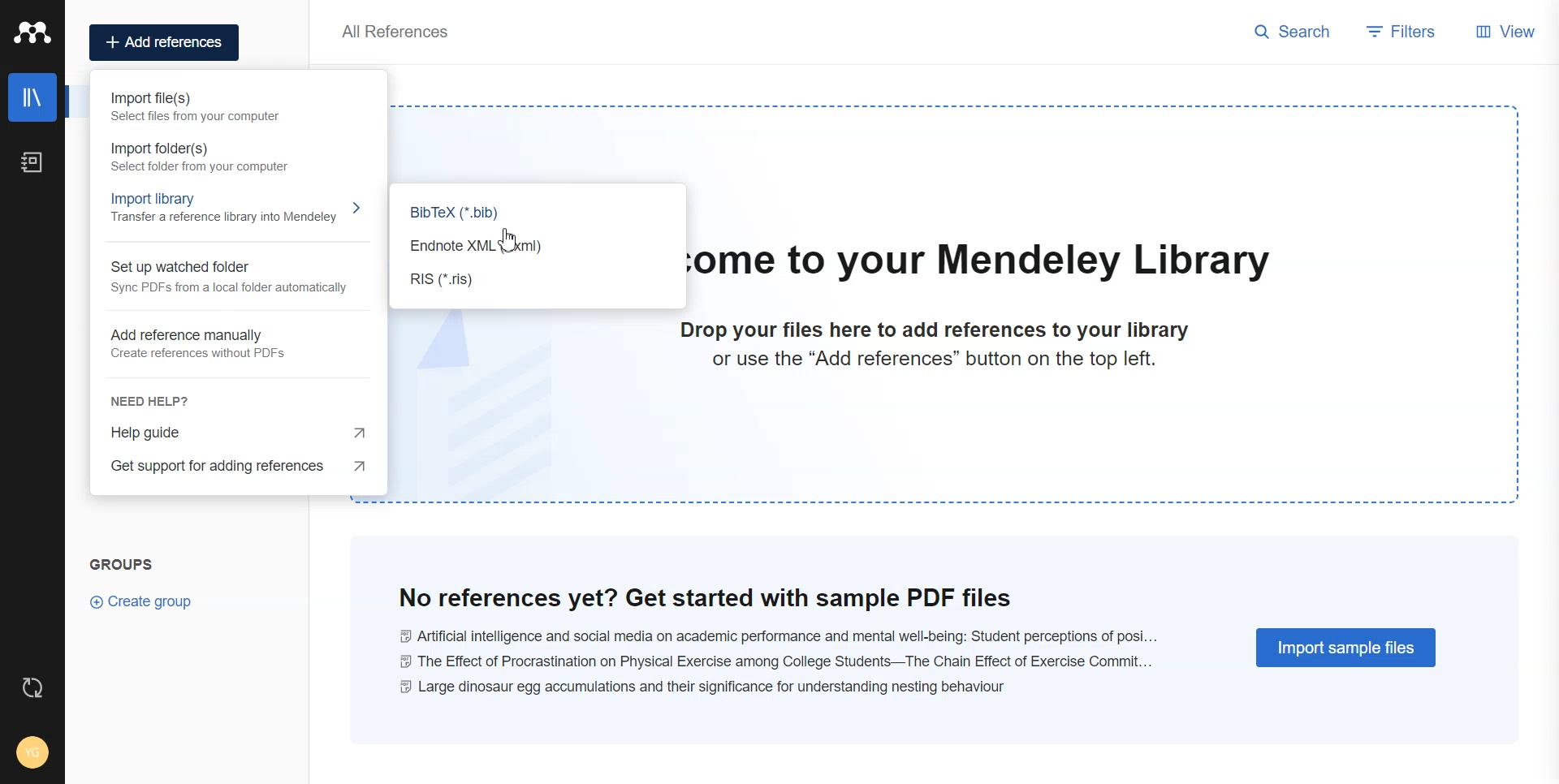 Image resolution: width=1559 pixels, height=784 pixels. Describe the element at coordinates (238, 433) in the screenshot. I see `Help guide` at that location.